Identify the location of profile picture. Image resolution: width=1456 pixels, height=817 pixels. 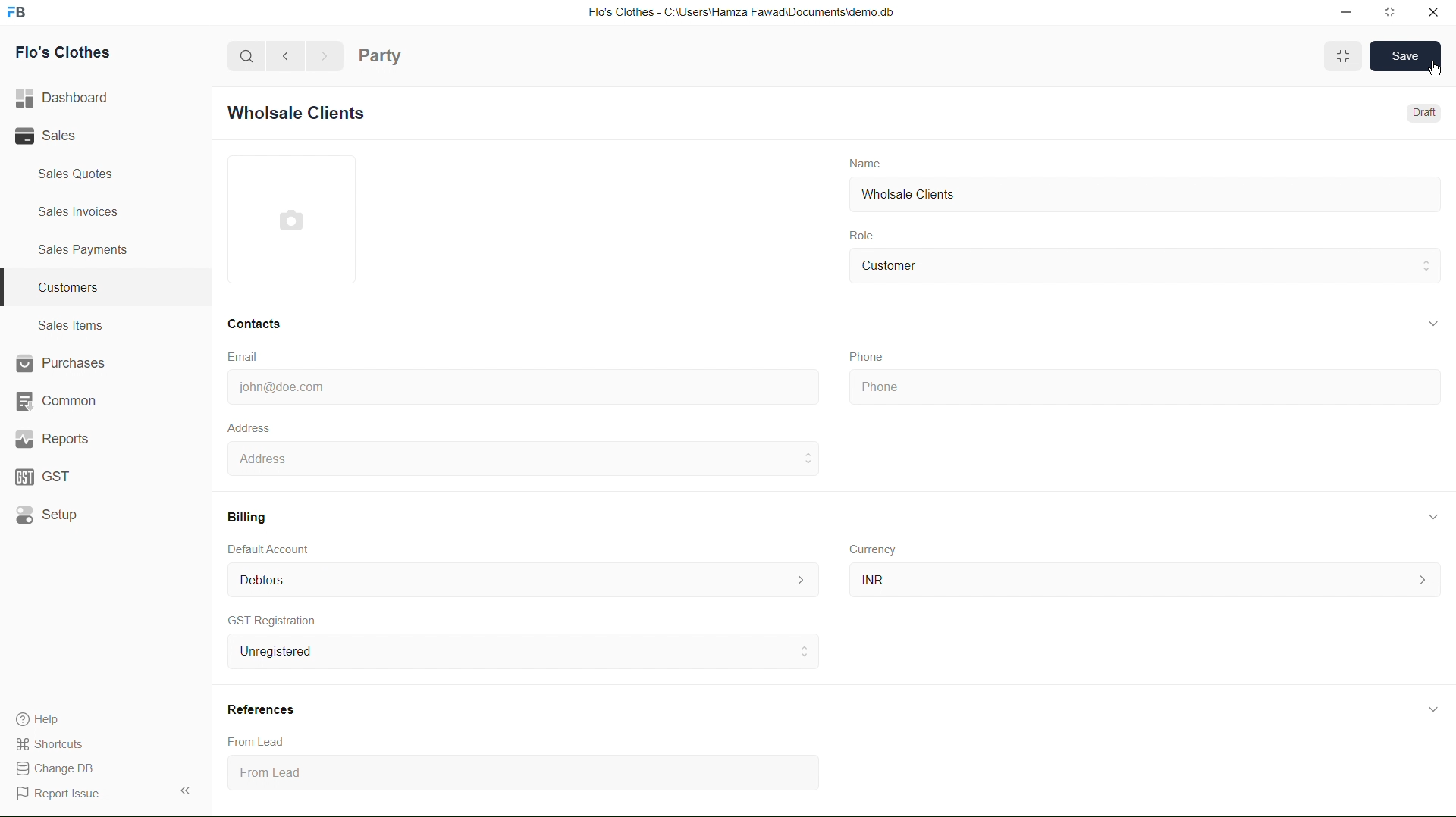
(293, 221).